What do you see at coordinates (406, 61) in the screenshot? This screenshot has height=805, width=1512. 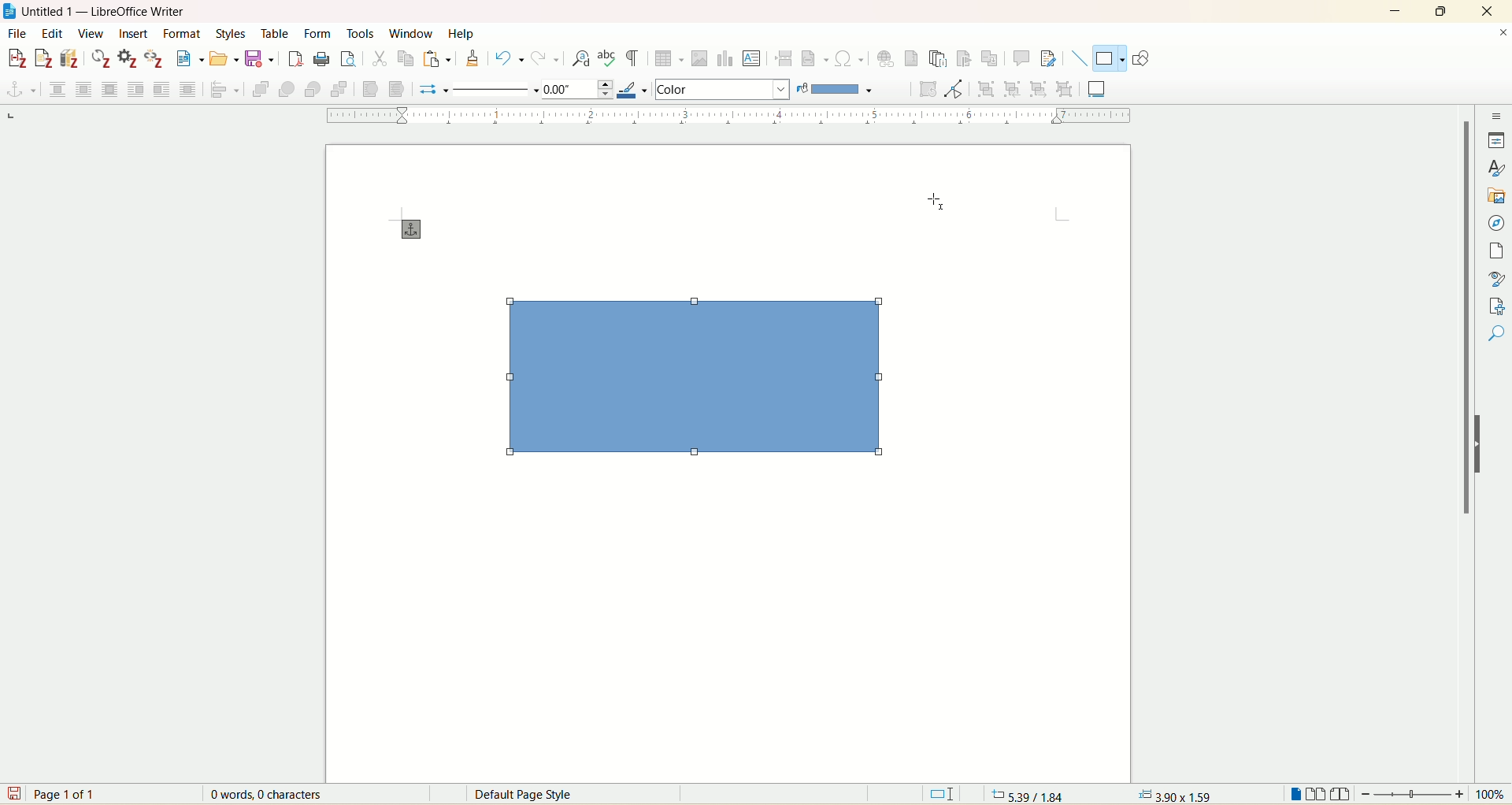 I see `copy` at bounding box center [406, 61].